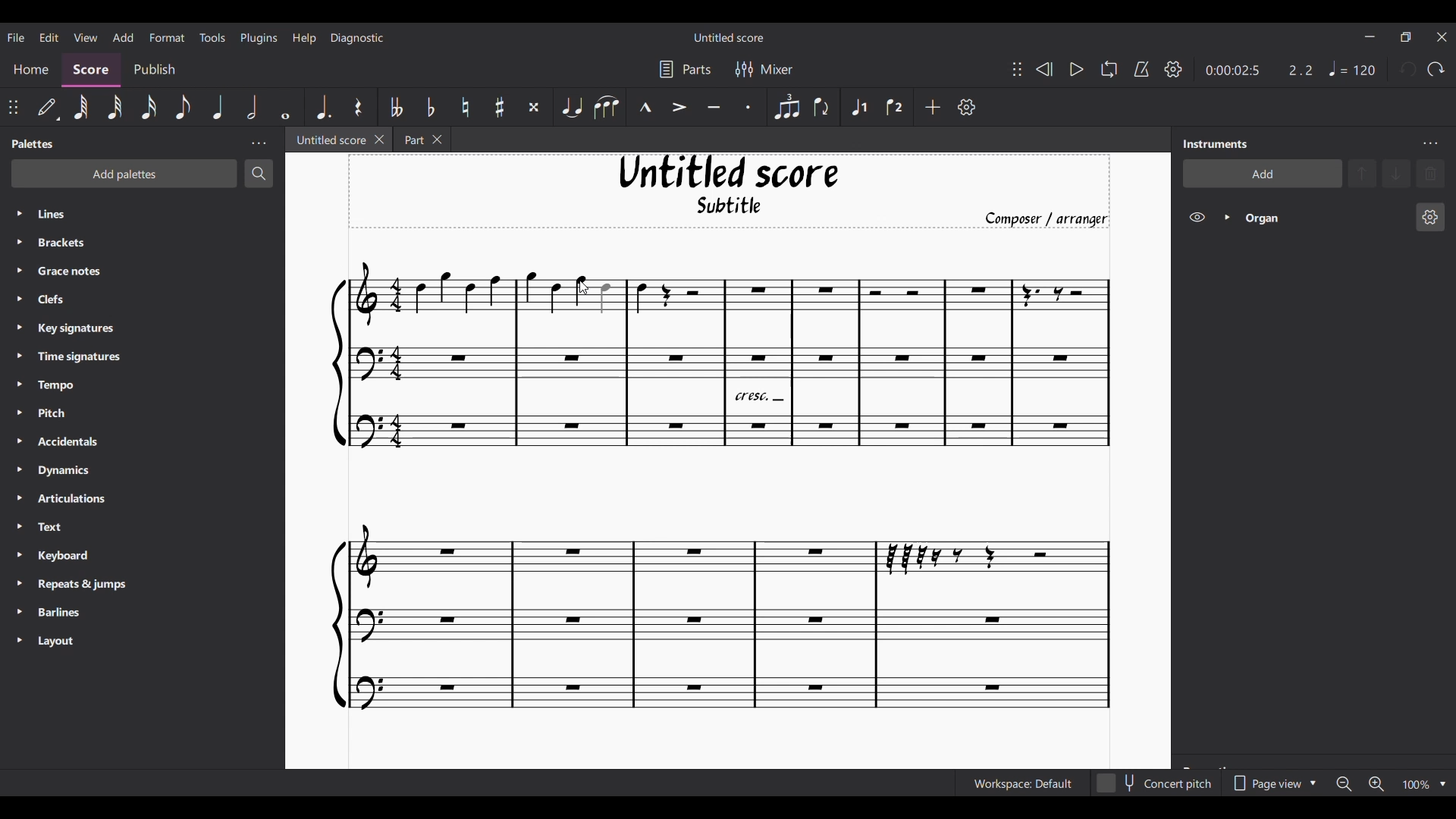 The height and width of the screenshot is (819, 1456). What do you see at coordinates (858, 107) in the screenshot?
I see `Voice 1` at bounding box center [858, 107].